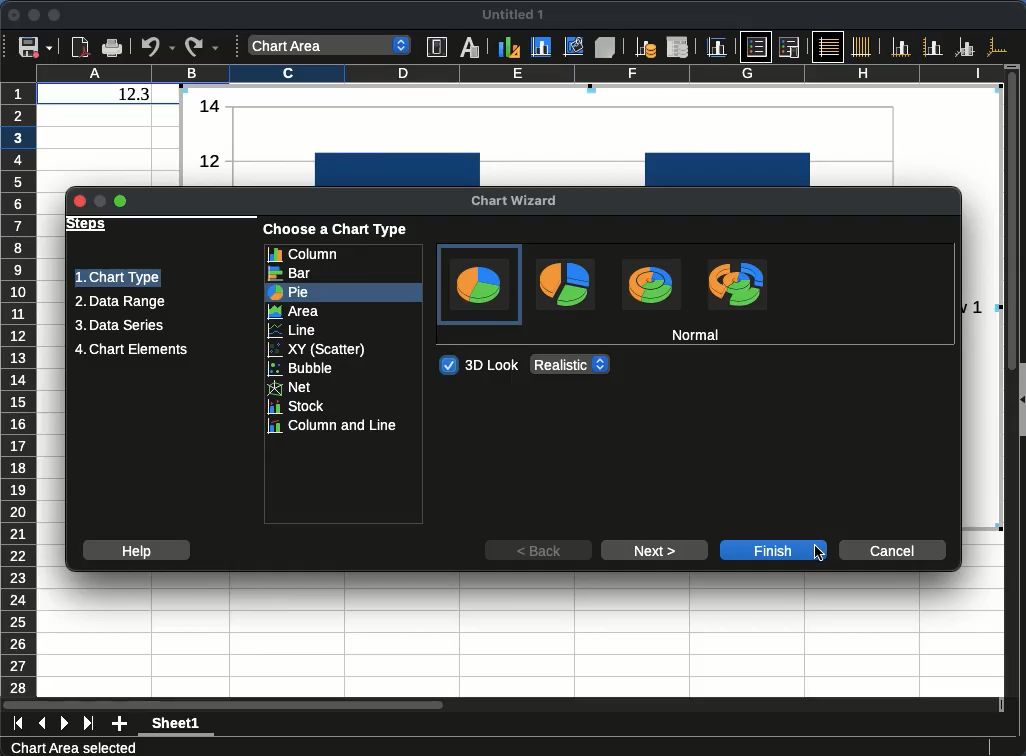  What do you see at coordinates (344, 427) in the screenshot?
I see `column and line` at bounding box center [344, 427].